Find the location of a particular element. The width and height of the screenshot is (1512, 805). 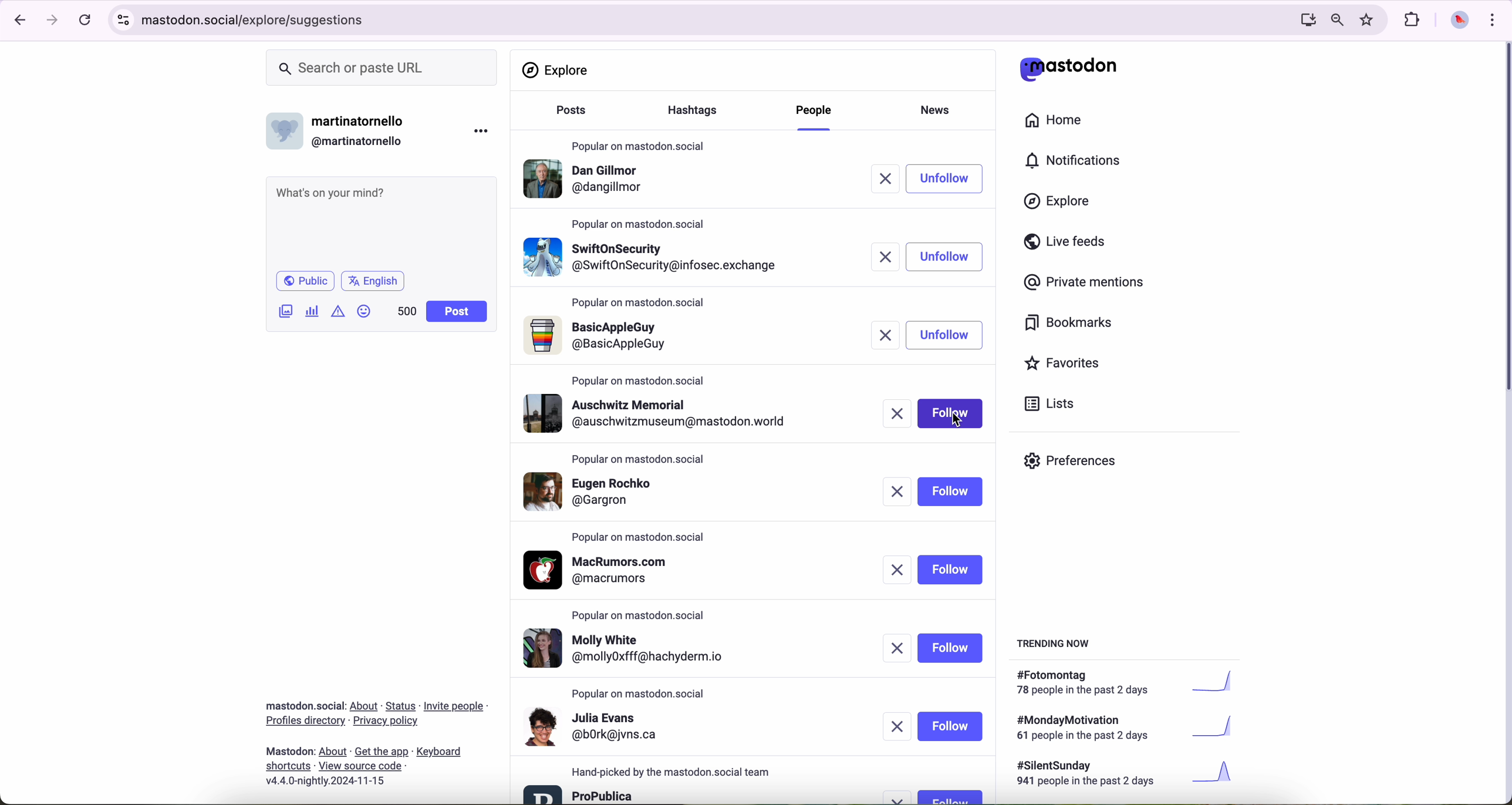

trending now is located at coordinates (1055, 642).